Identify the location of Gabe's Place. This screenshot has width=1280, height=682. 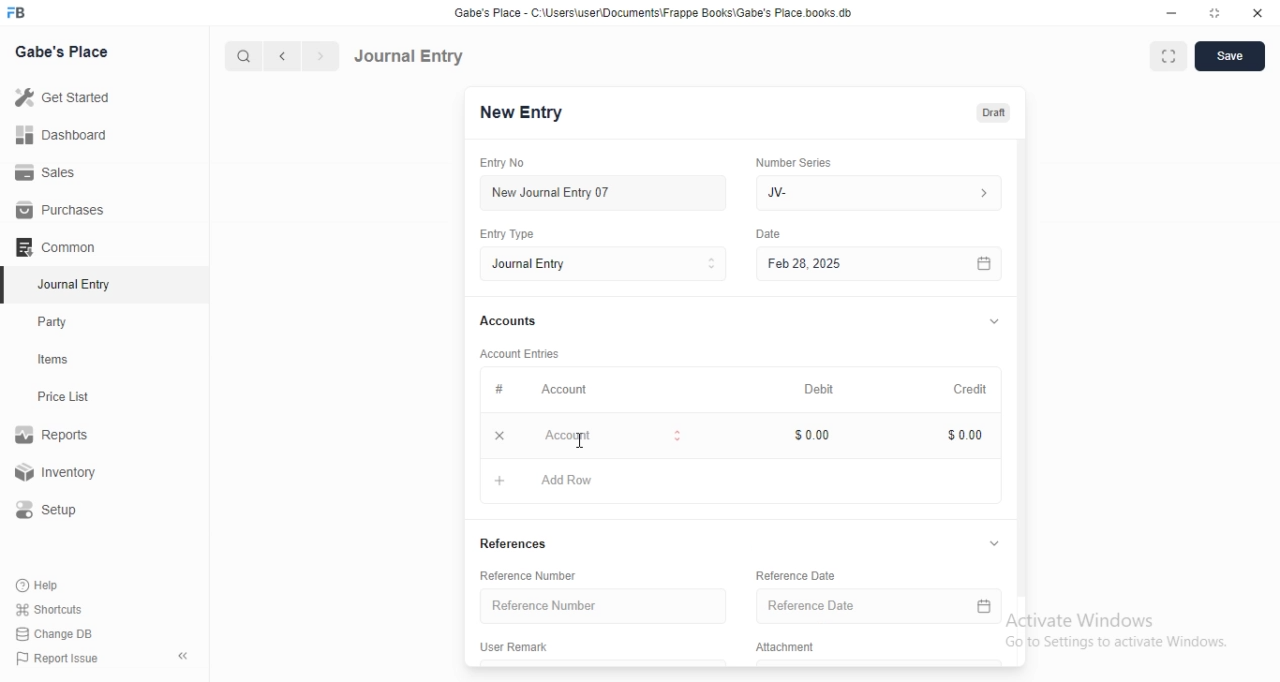
(64, 51).